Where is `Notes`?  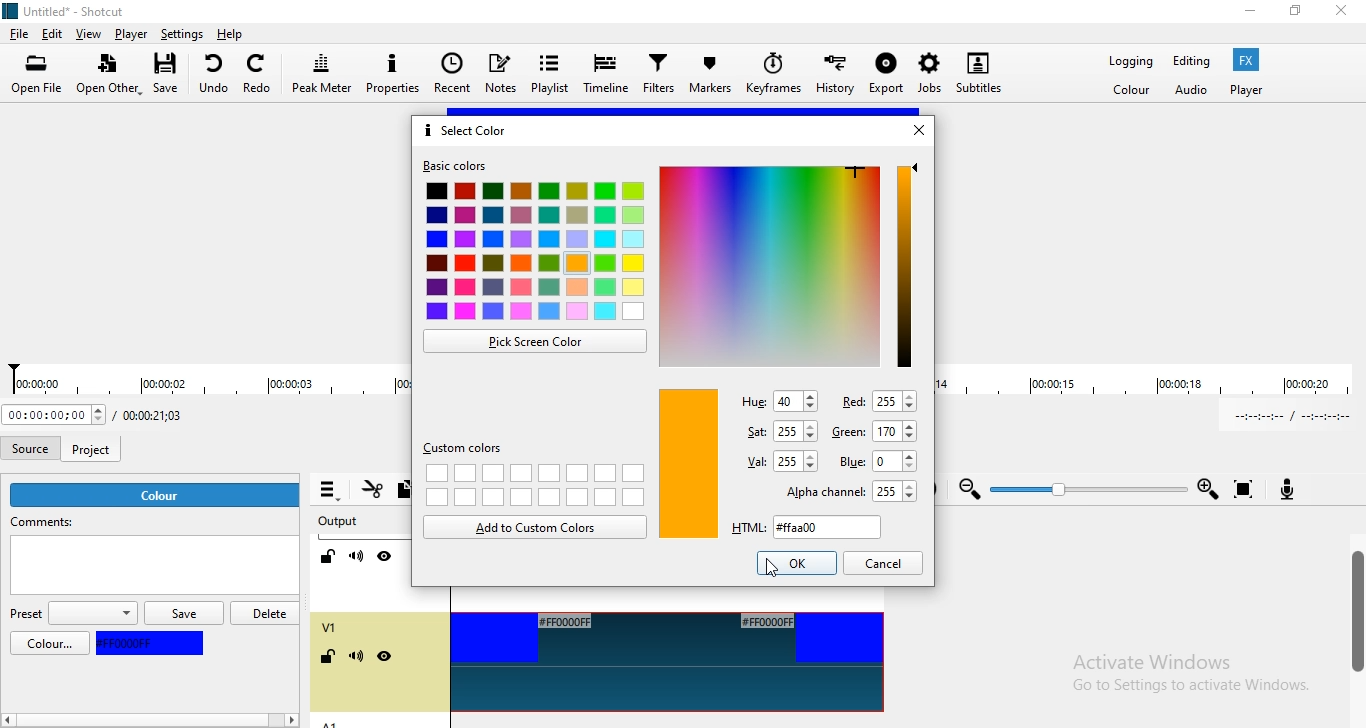 Notes is located at coordinates (503, 72).